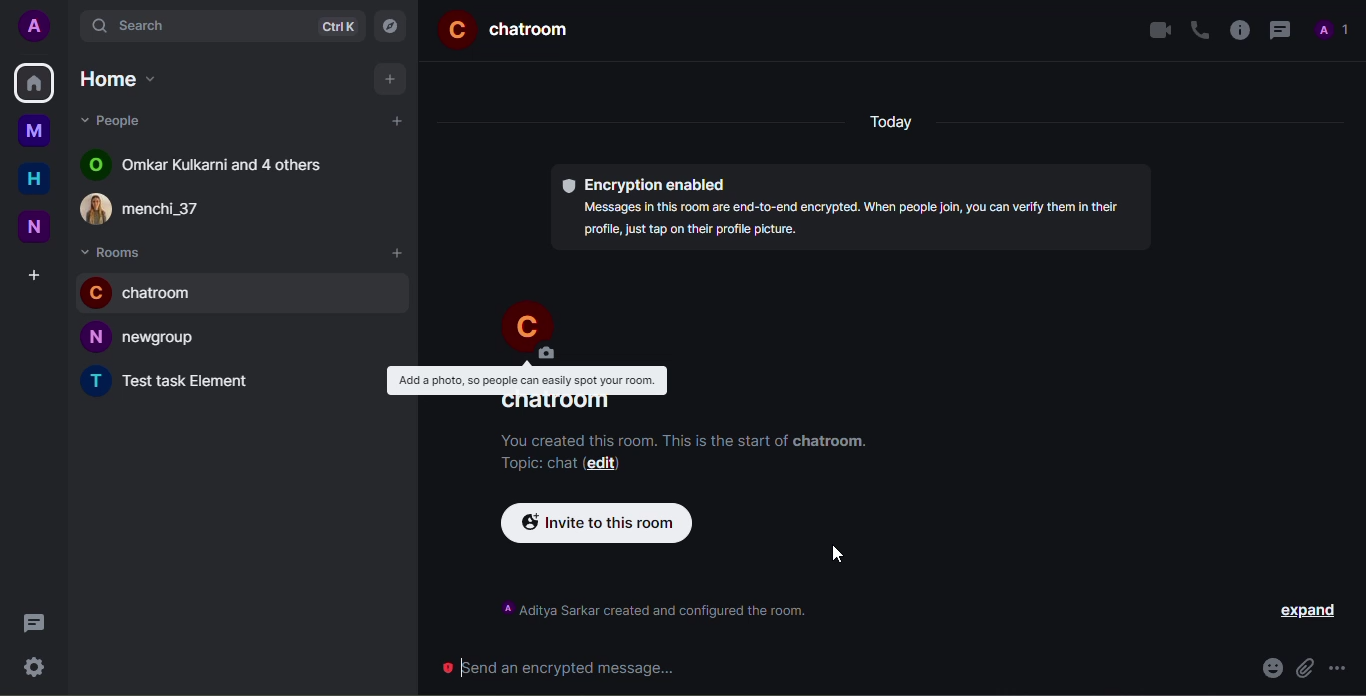 This screenshot has height=696, width=1366. What do you see at coordinates (1240, 28) in the screenshot?
I see `info` at bounding box center [1240, 28].